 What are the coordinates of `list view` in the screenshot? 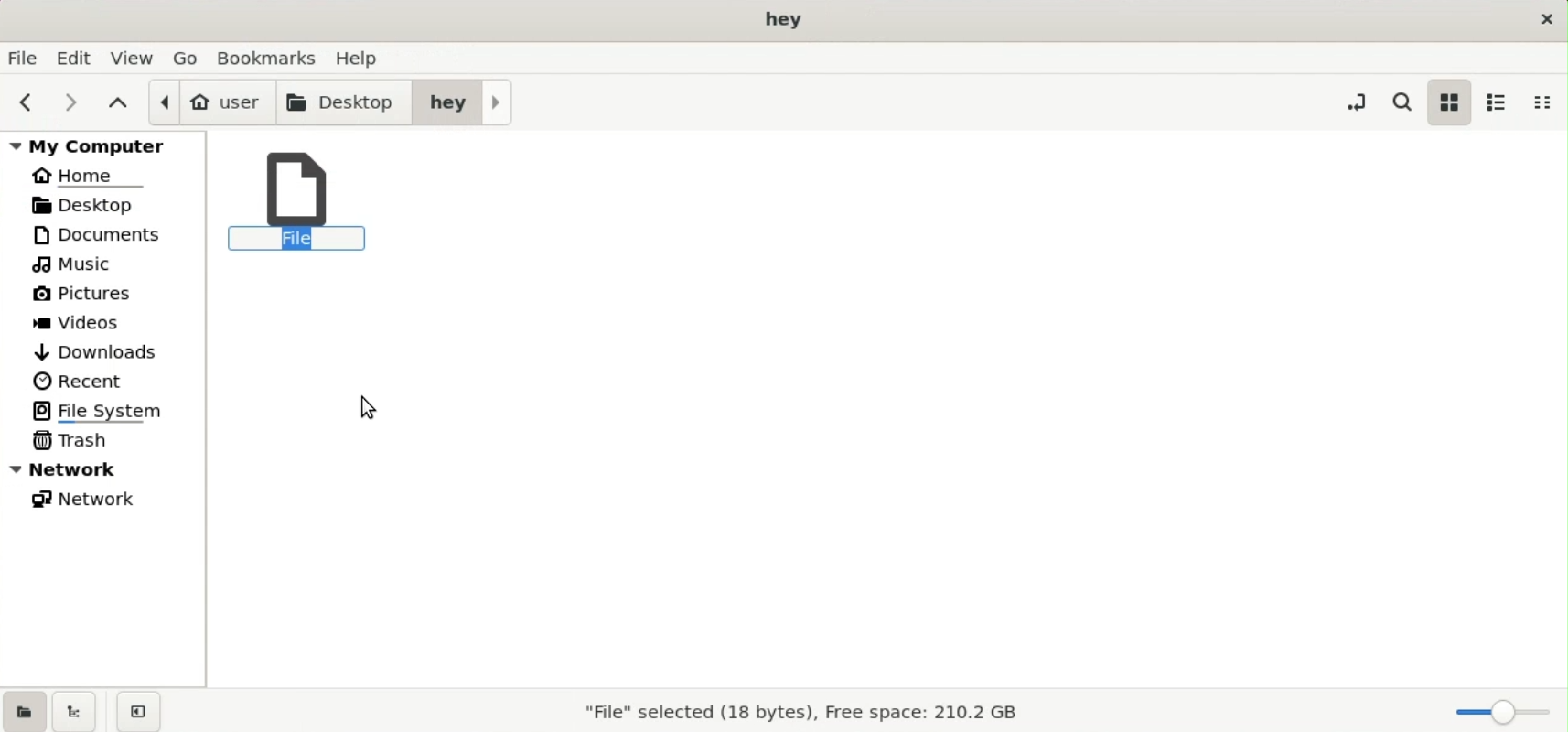 It's located at (1497, 102).